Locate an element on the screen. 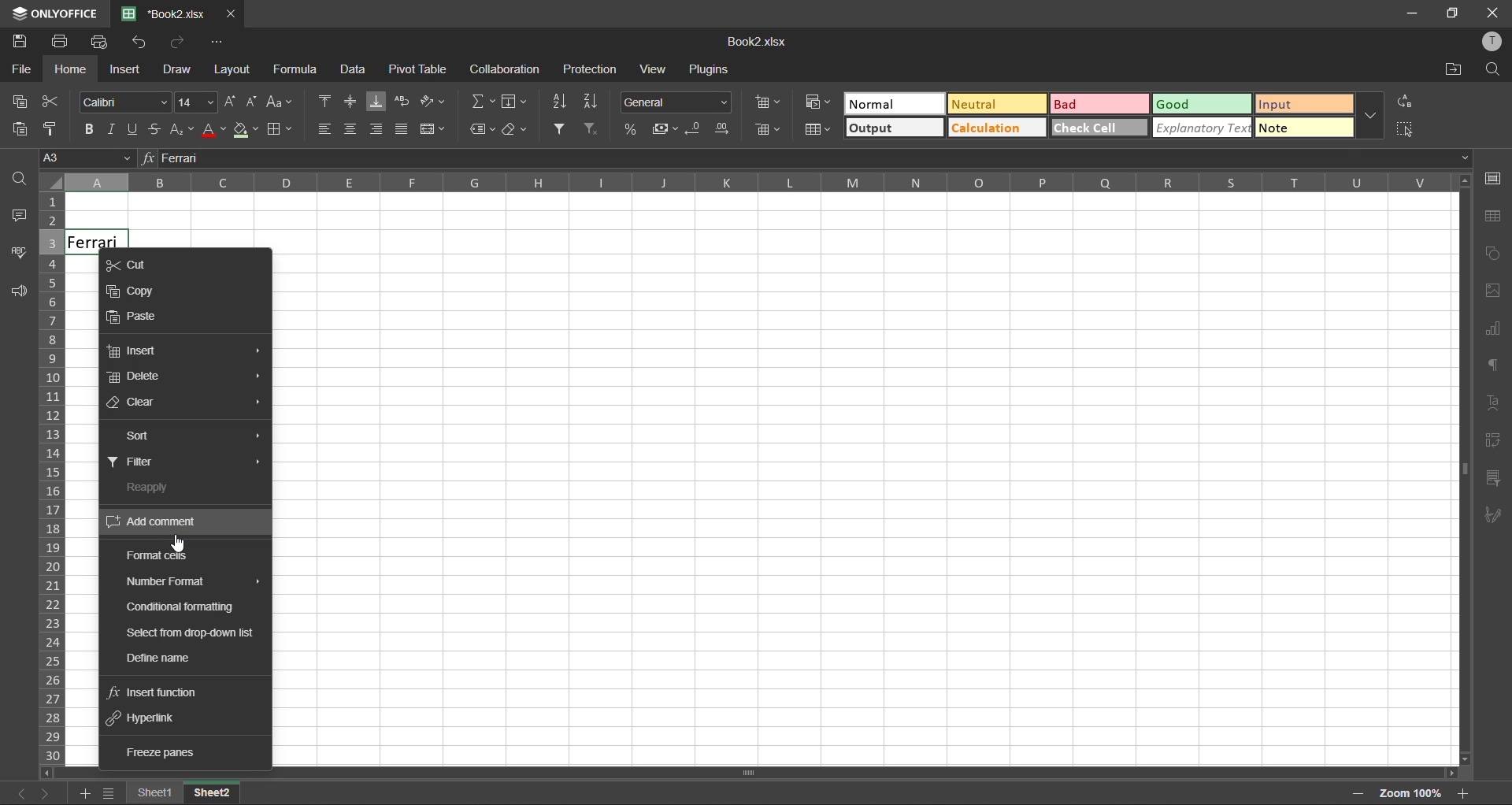 The height and width of the screenshot is (805, 1512). more options is located at coordinates (1373, 121).